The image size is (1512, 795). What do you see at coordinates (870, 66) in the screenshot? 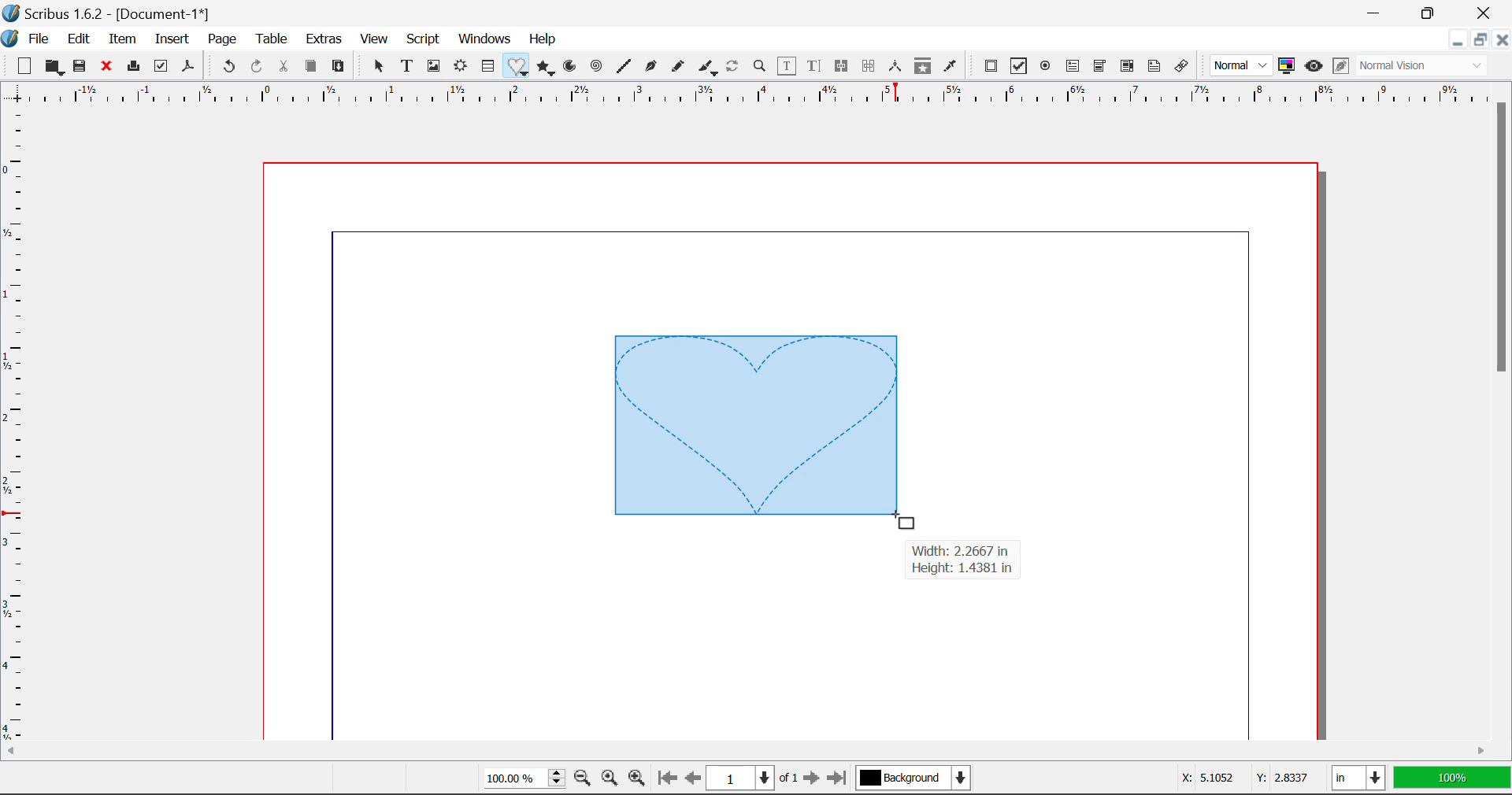
I see `Delink Text Frames` at bounding box center [870, 66].